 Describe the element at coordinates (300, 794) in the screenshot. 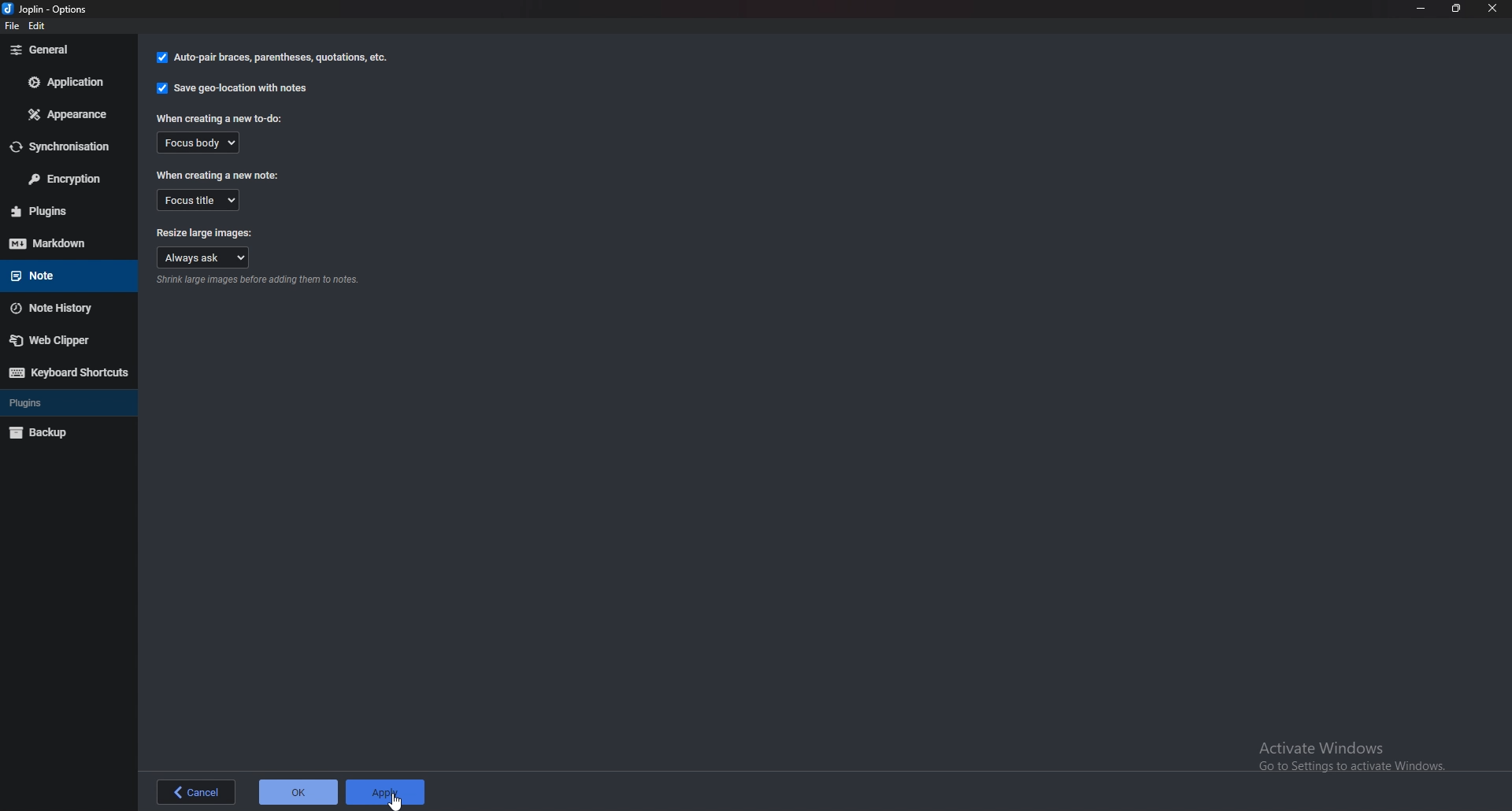

I see `ok` at that location.